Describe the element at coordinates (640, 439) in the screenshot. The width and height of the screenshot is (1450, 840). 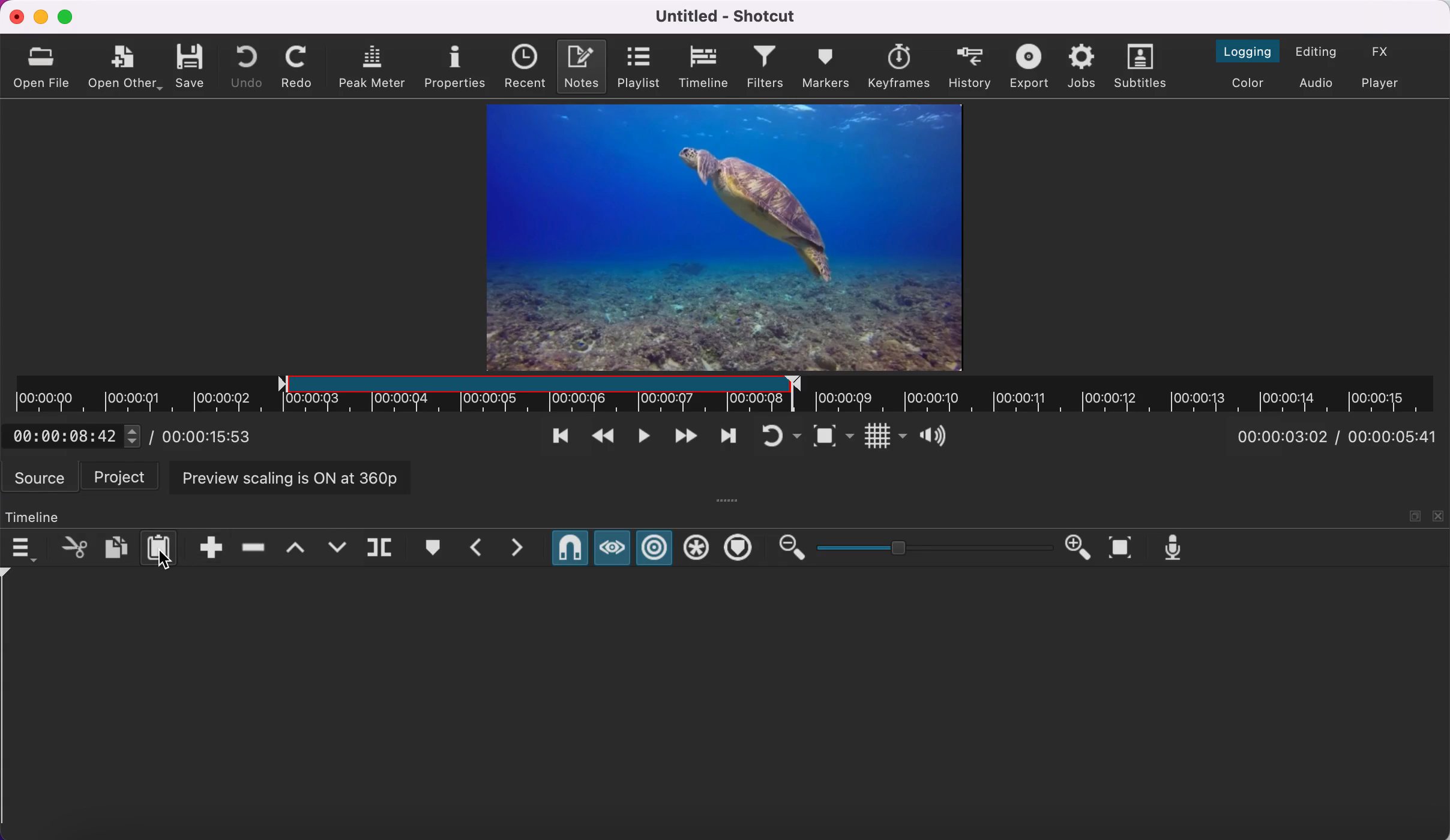
I see `toggle play or pause` at that location.